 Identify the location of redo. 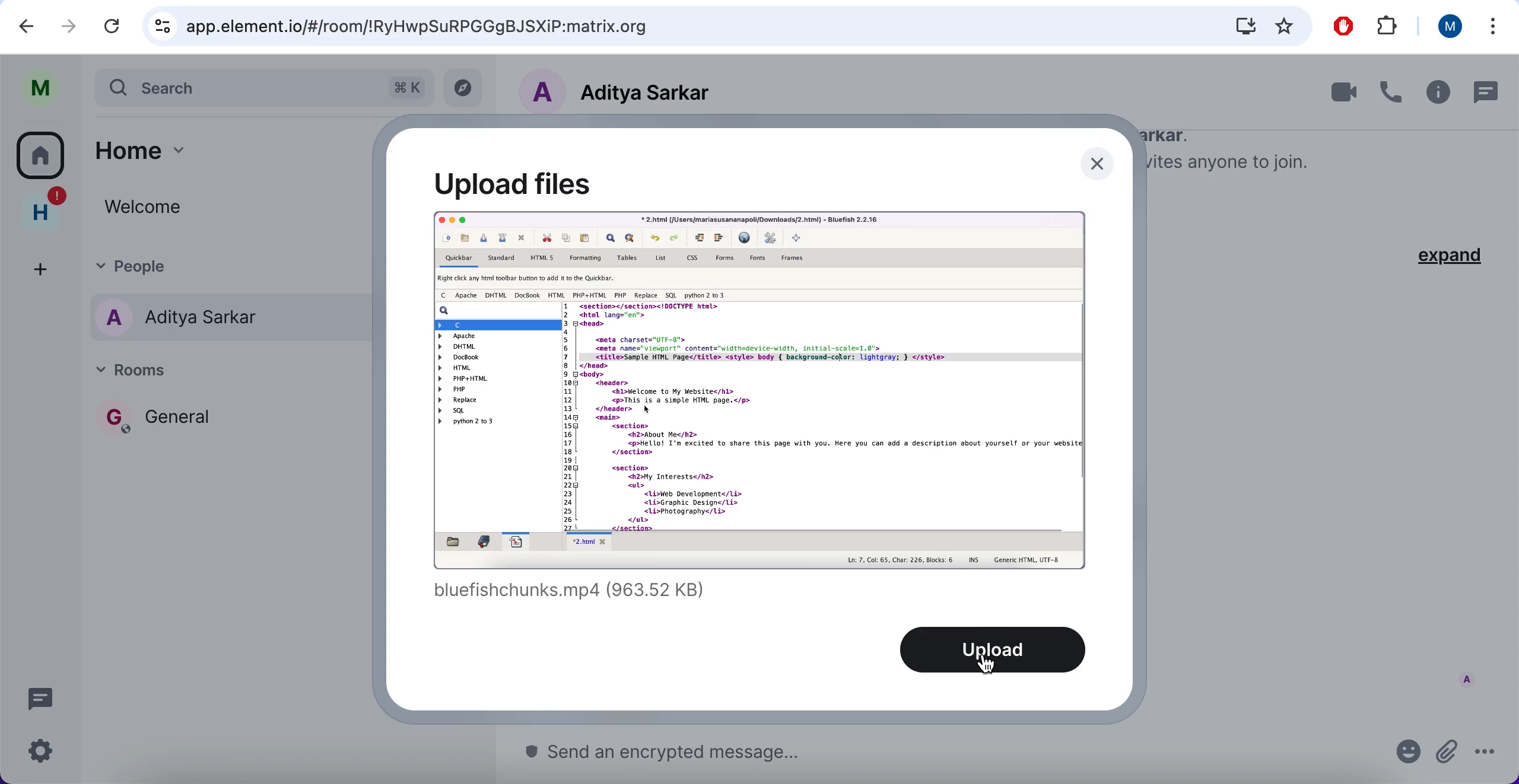
(71, 27).